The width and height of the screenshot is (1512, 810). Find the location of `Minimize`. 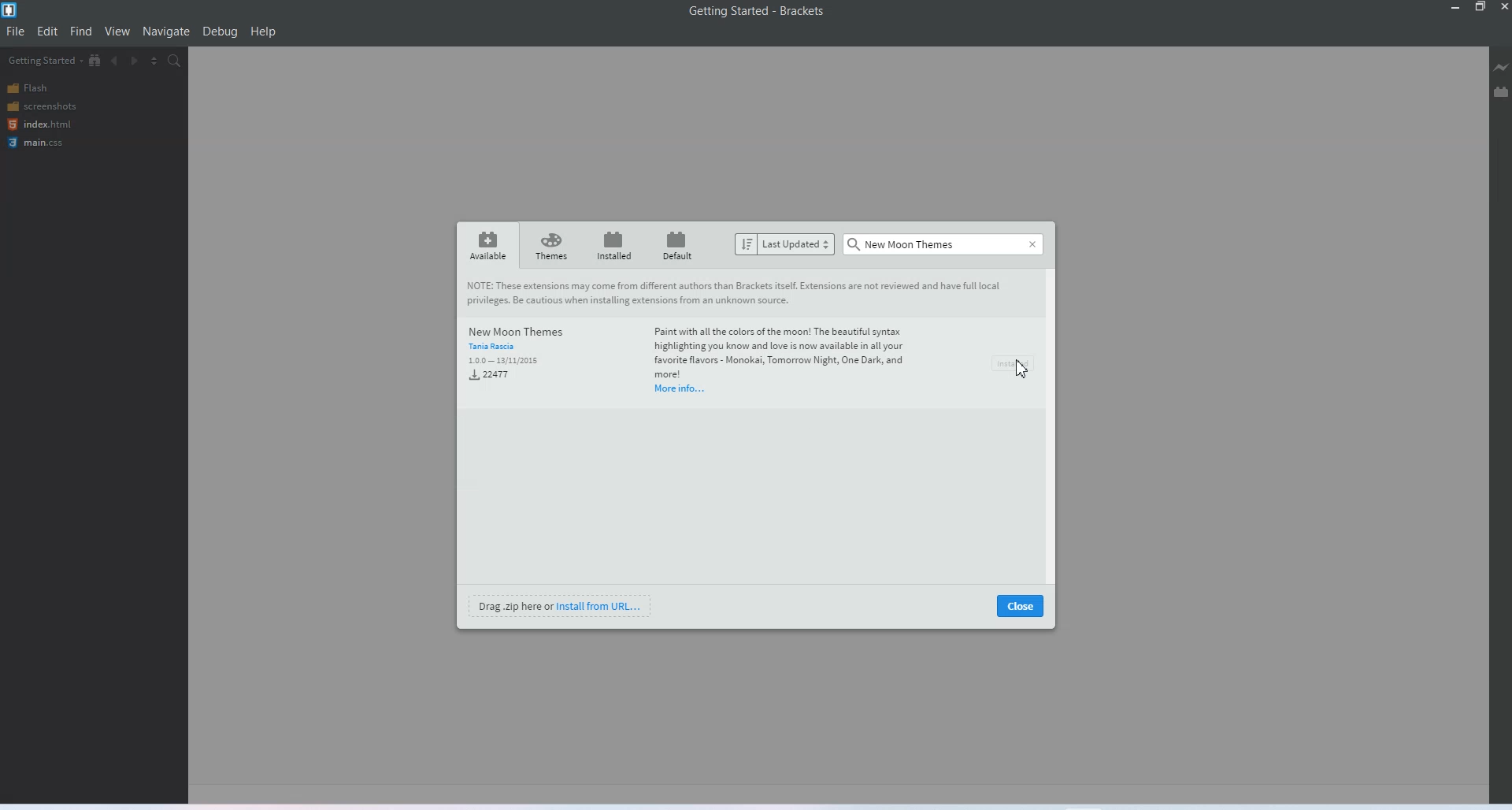

Minimize is located at coordinates (1457, 8).